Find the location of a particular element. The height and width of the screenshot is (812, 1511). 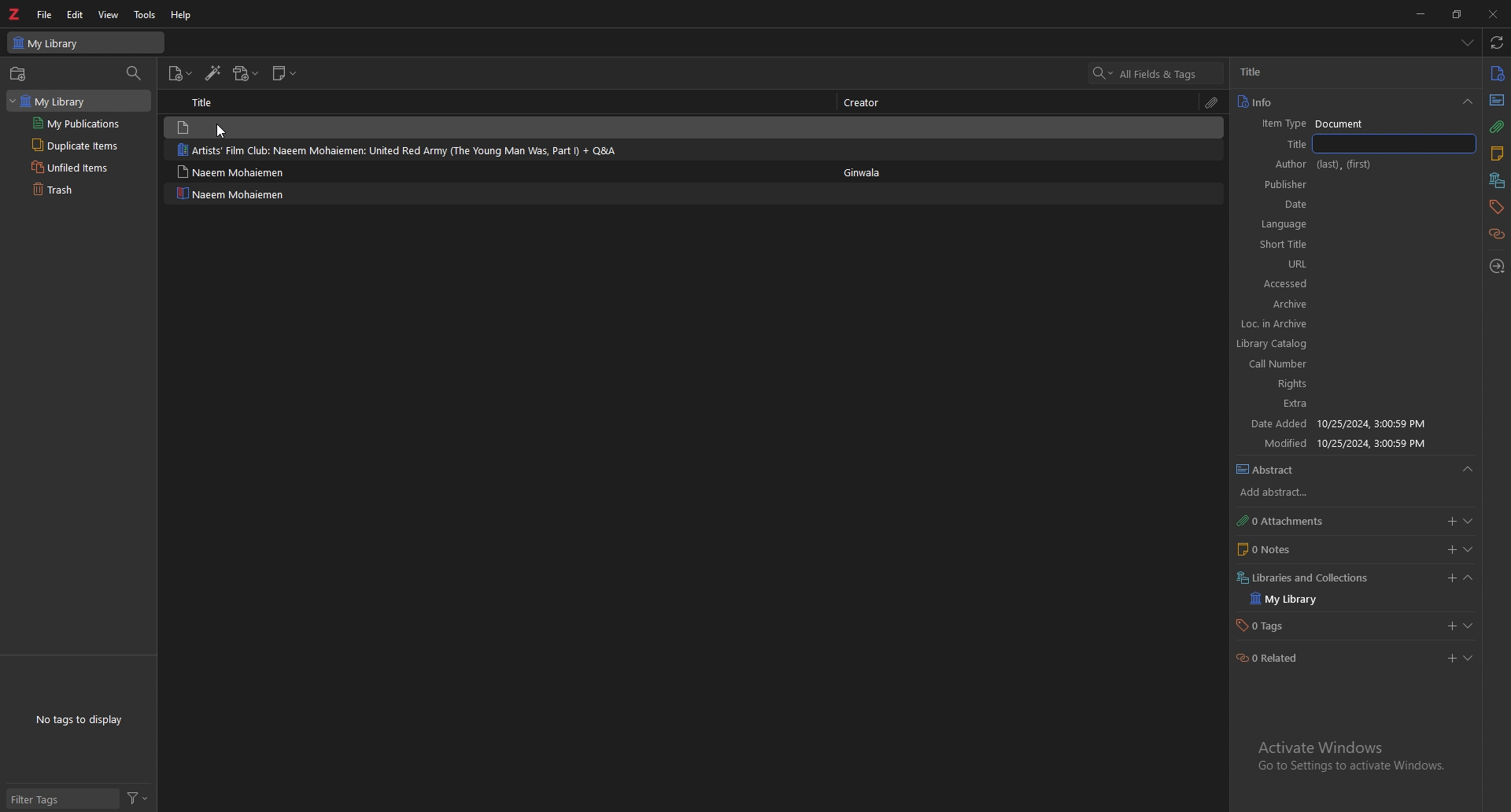

edit is located at coordinates (76, 14).